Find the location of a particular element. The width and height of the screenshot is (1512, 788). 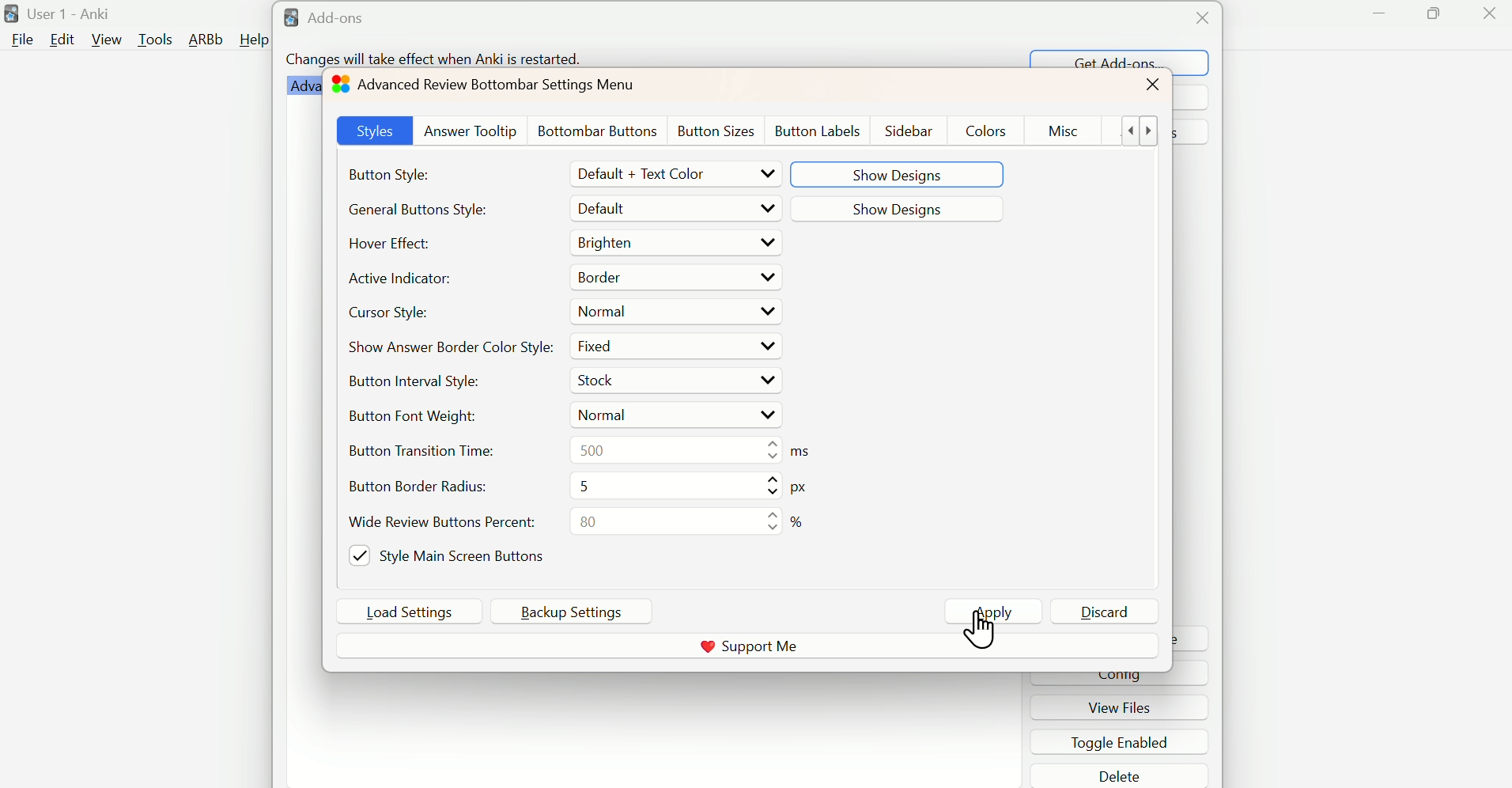

ARBb is located at coordinates (207, 40).